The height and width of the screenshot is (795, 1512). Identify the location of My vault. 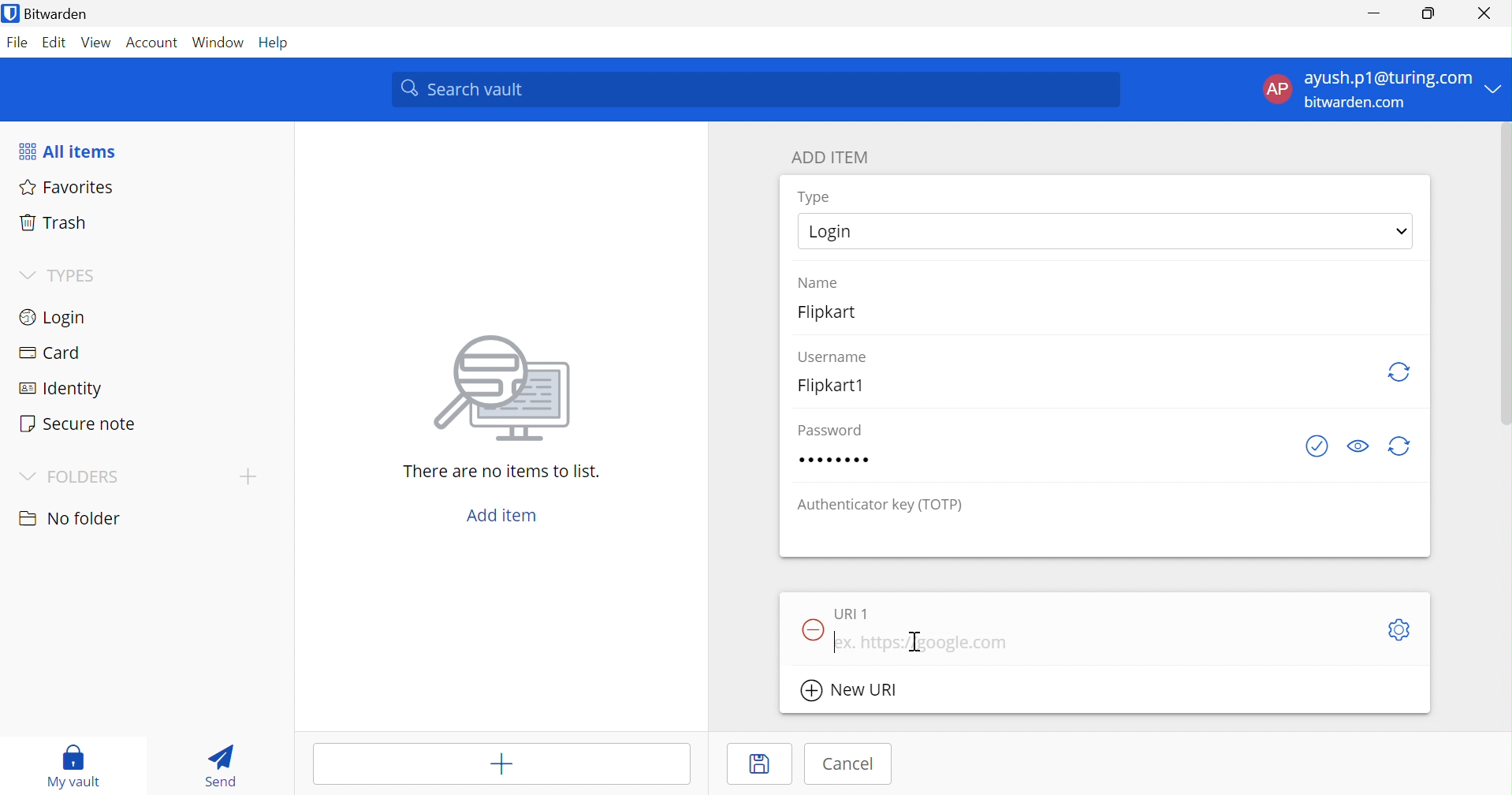
(76, 765).